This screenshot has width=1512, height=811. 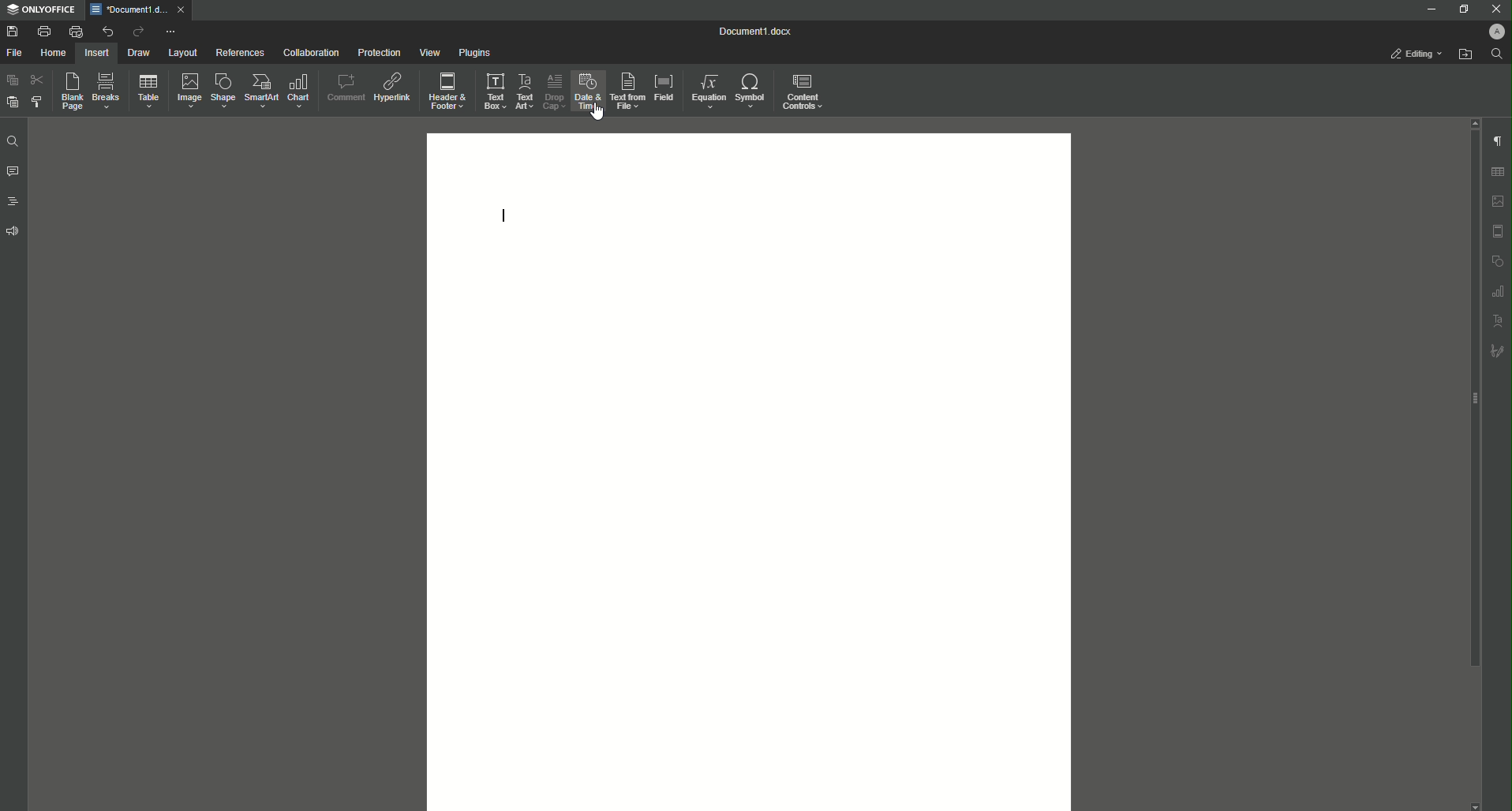 What do you see at coordinates (1496, 140) in the screenshot?
I see `Paragraph Settings` at bounding box center [1496, 140].